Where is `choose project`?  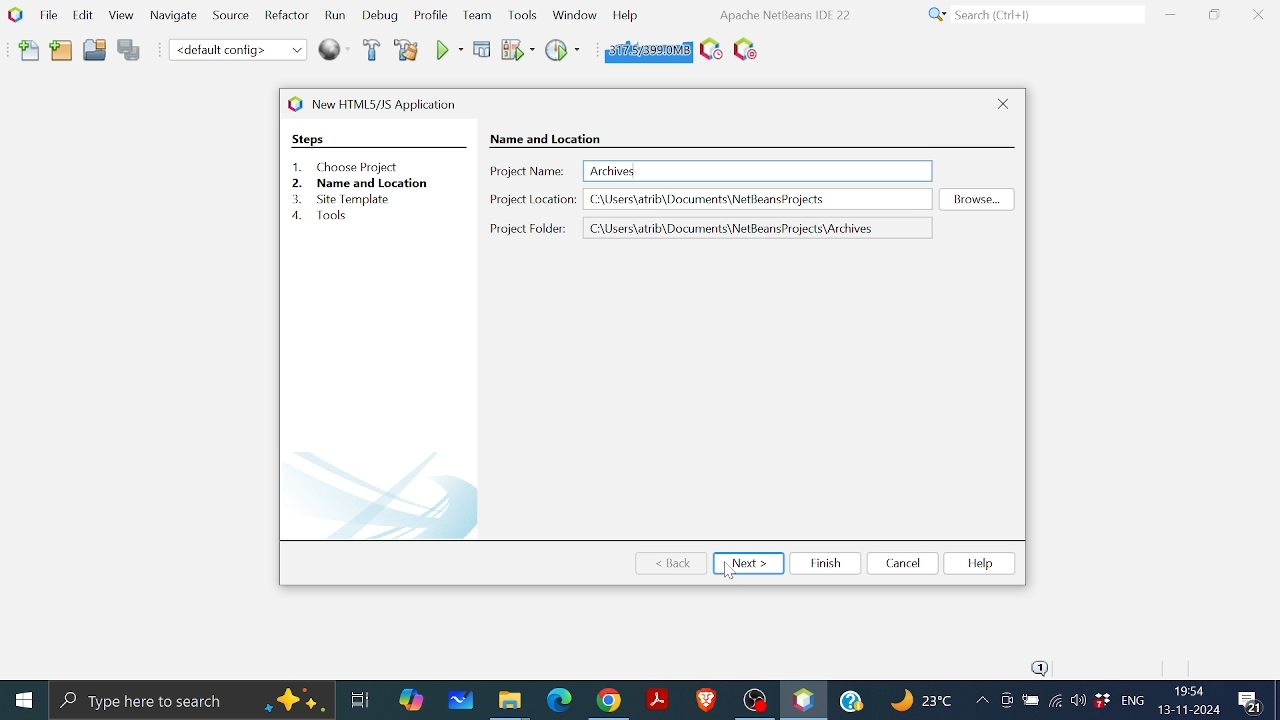
choose project is located at coordinates (542, 138).